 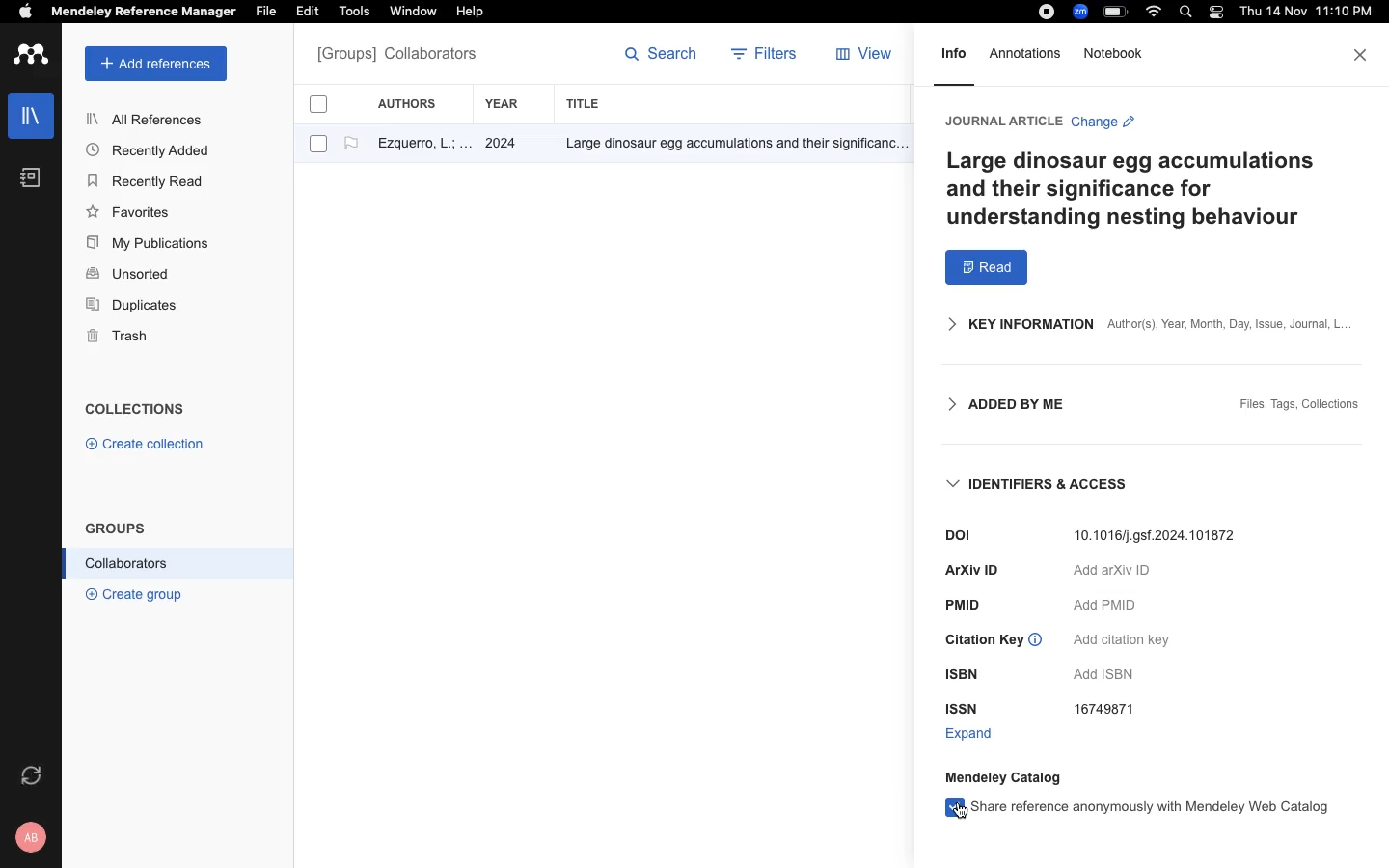 I want to click on filters, so click(x=767, y=56).